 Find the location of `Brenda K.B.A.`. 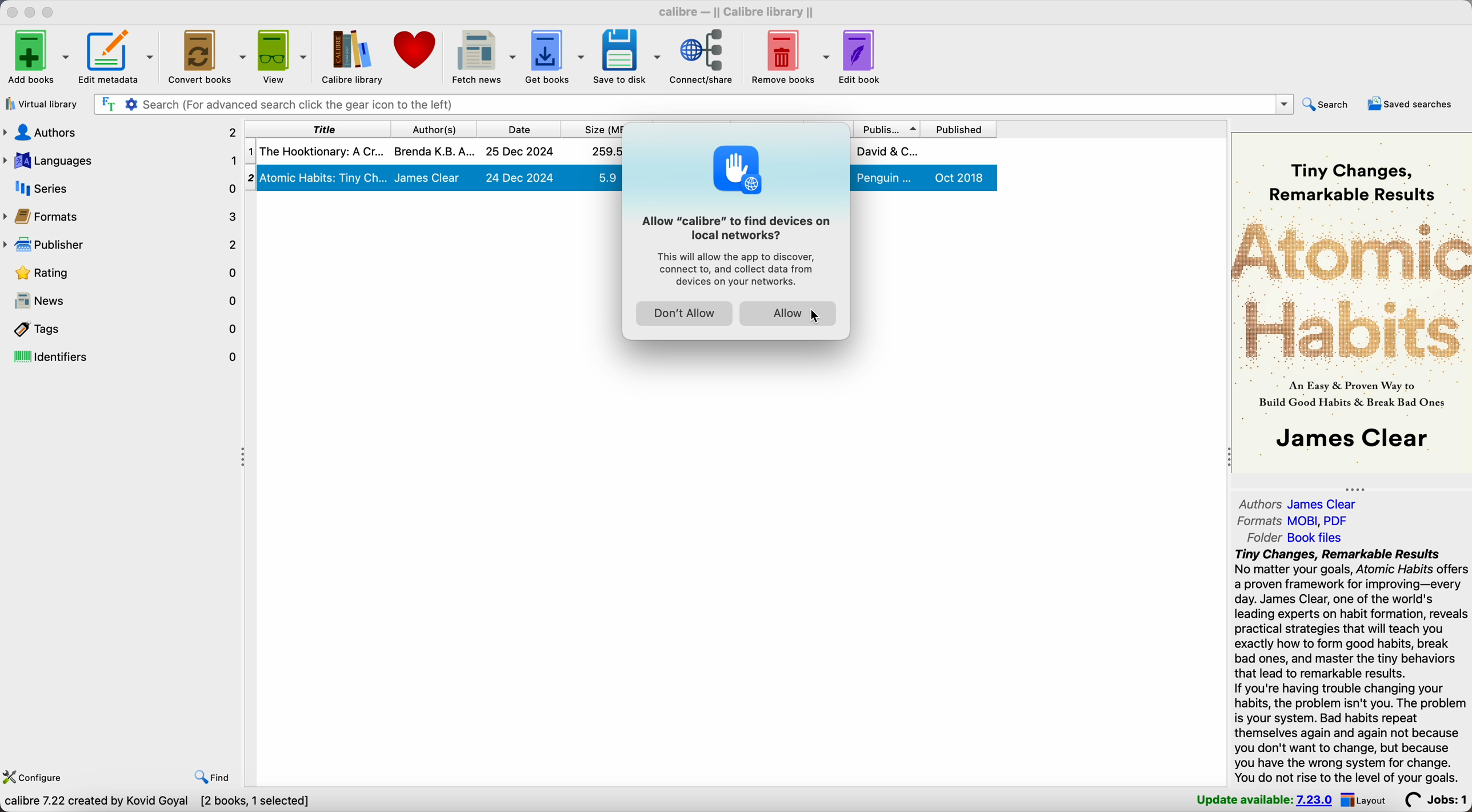

Brenda K.B.A. is located at coordinates (434, 150).